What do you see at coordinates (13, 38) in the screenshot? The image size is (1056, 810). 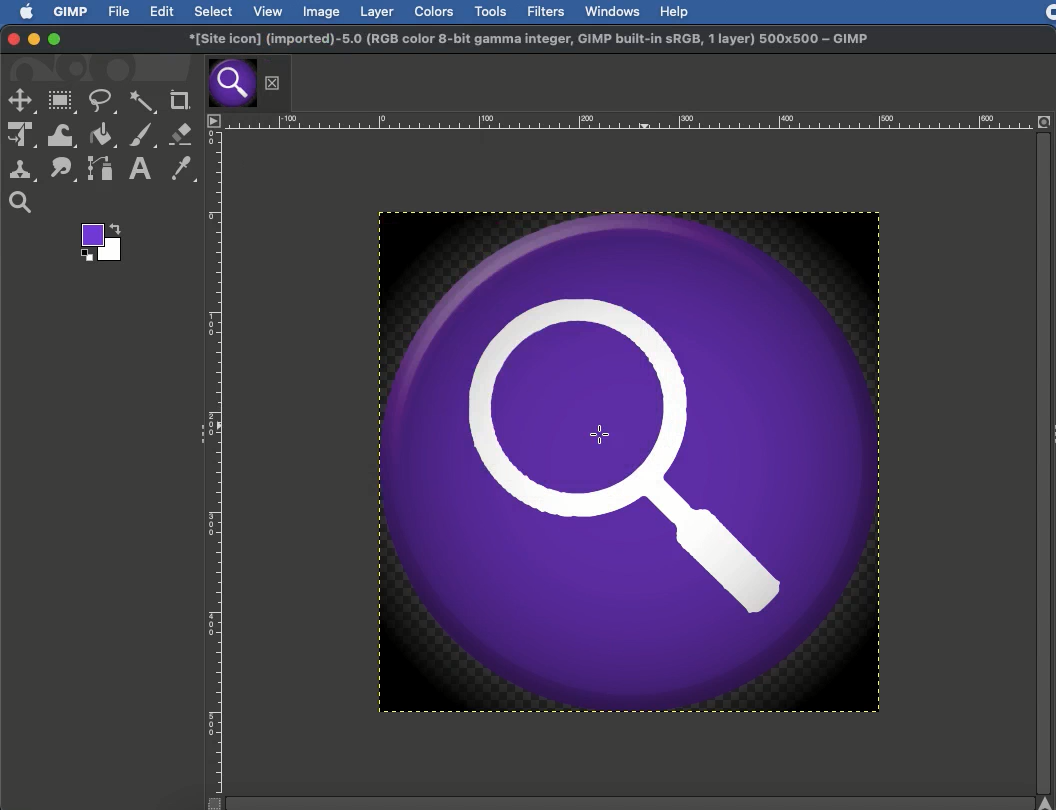 I see `Close` at bounding box center [13, 38].